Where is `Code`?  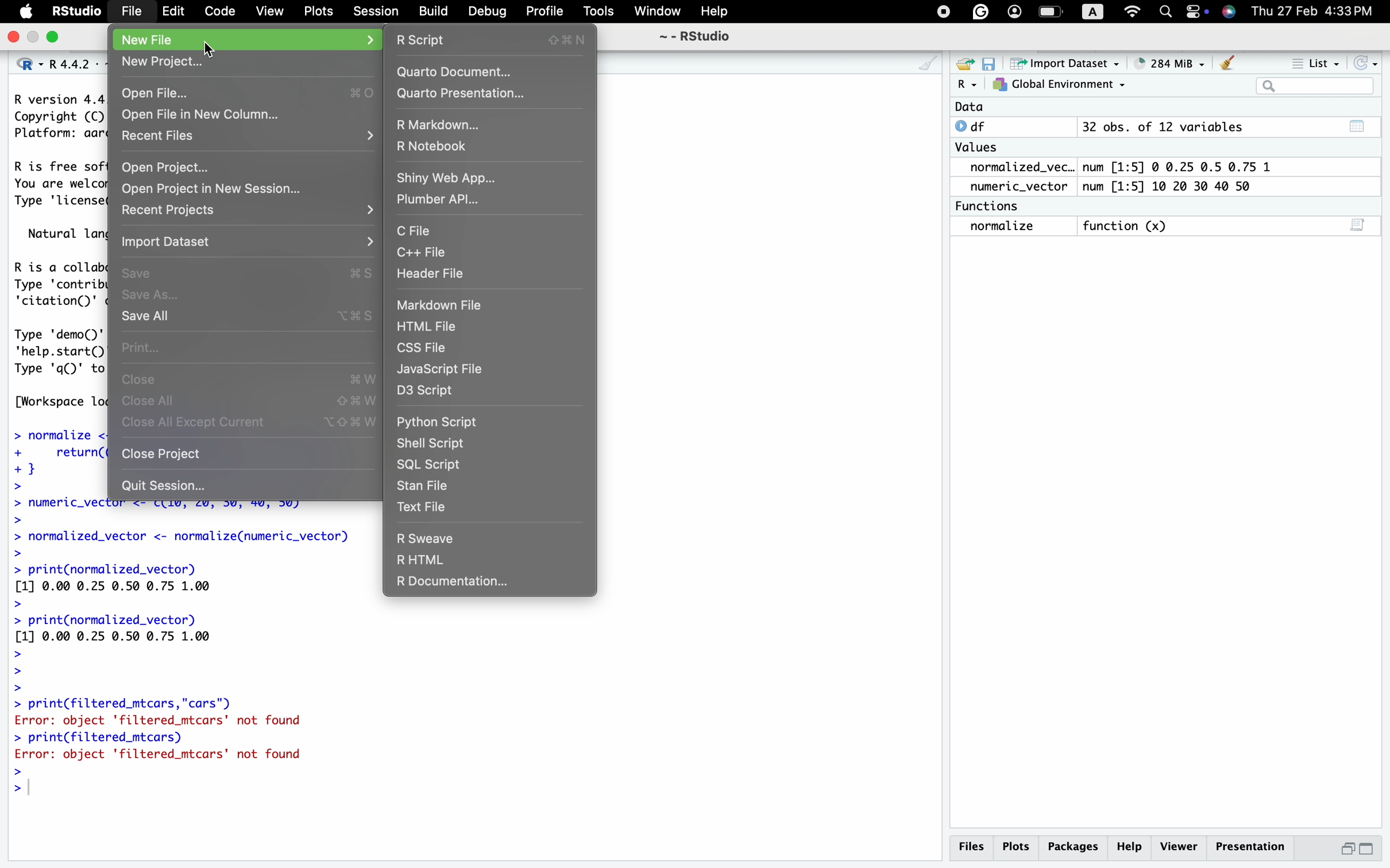
Code is located at coordinates (218, 9).